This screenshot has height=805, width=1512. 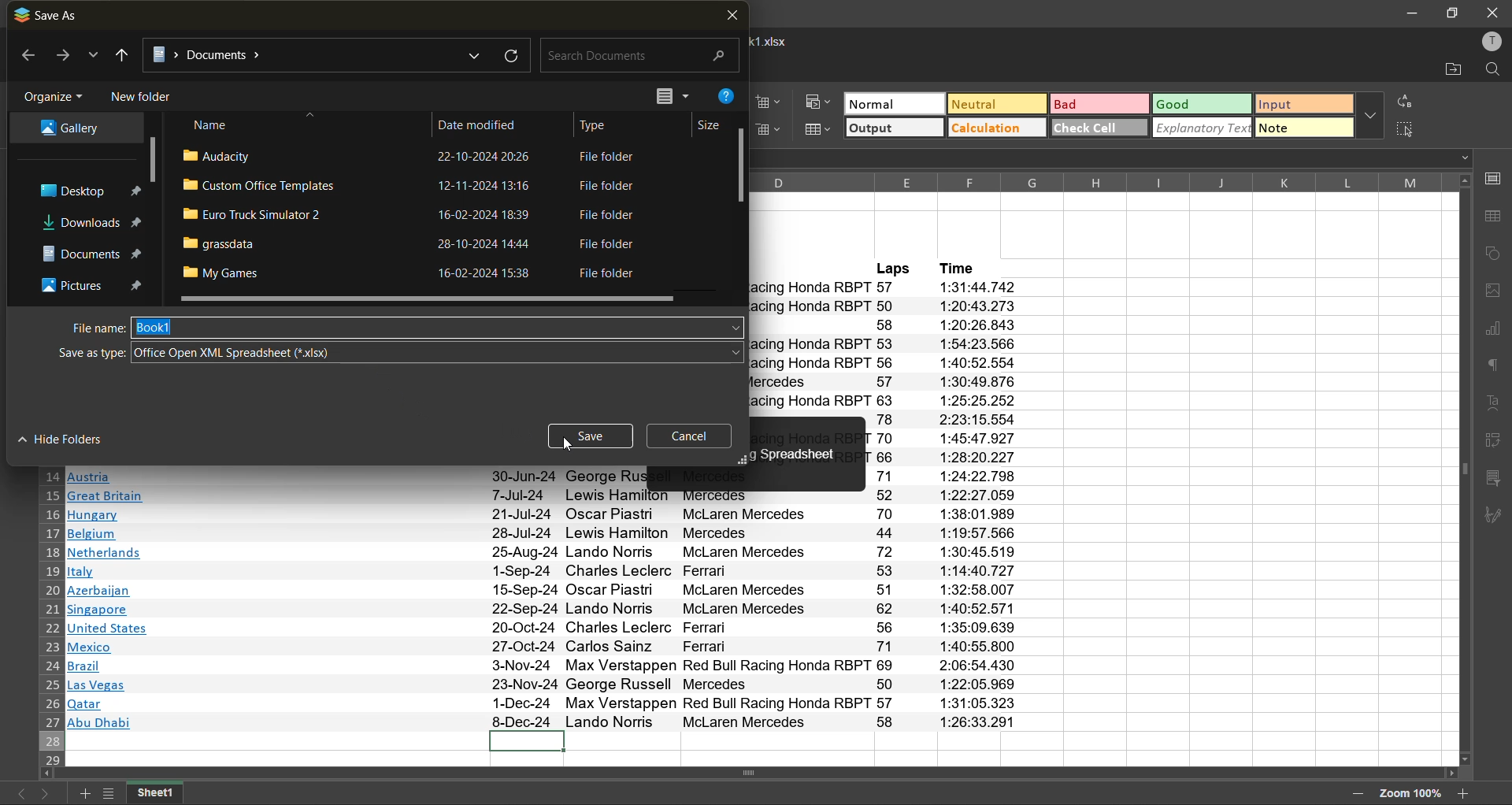 What do you see at coordinates (543, 533) in the screenshot?
I see `ill Belgium 28-Jul-24 Lewis Hamilton Mercedes 44 1:19:57.566` at bounding box center [543, 533].